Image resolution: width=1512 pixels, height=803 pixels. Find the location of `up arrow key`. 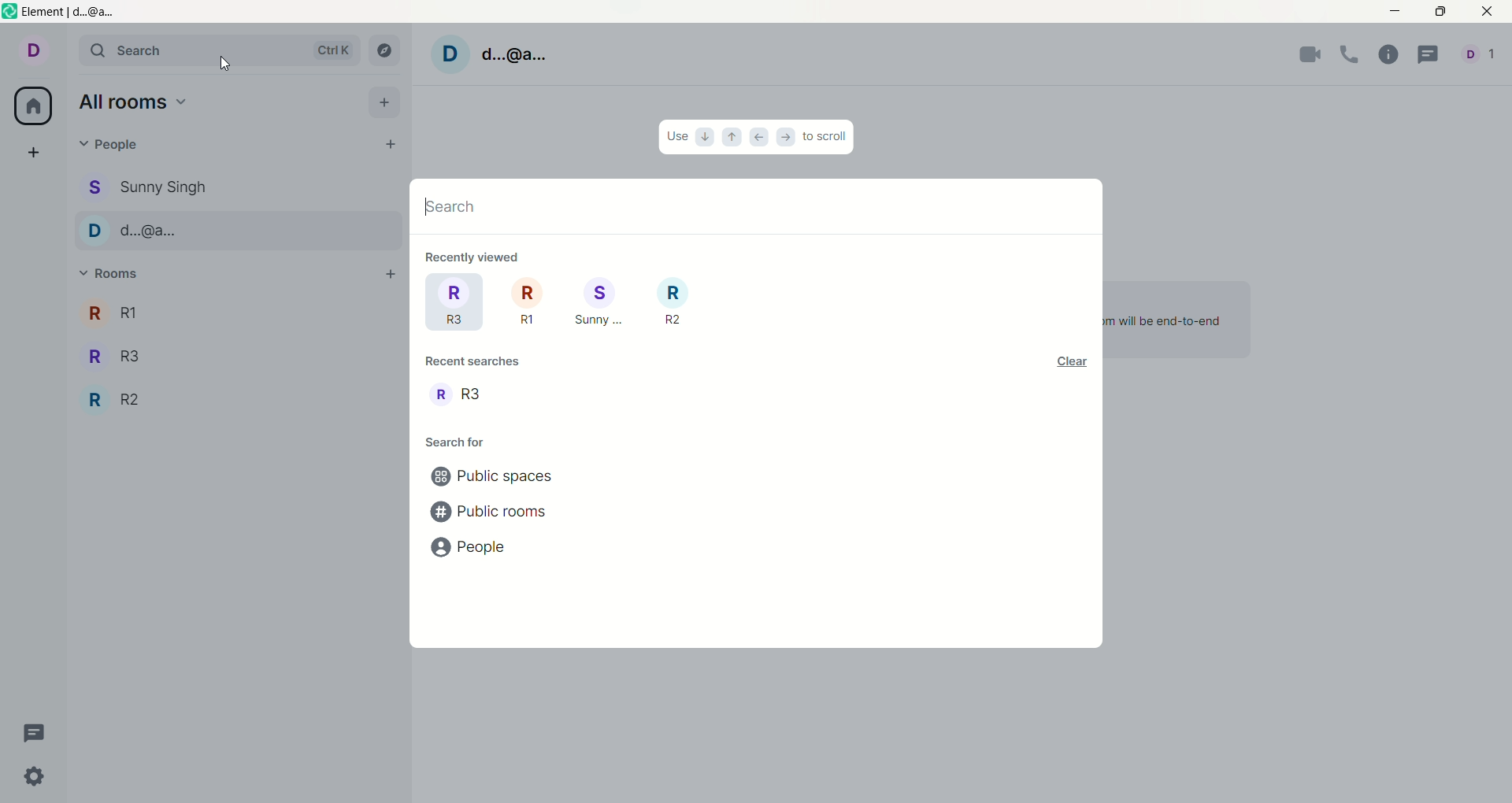

up arrow key is located at coordinates (733, 139).